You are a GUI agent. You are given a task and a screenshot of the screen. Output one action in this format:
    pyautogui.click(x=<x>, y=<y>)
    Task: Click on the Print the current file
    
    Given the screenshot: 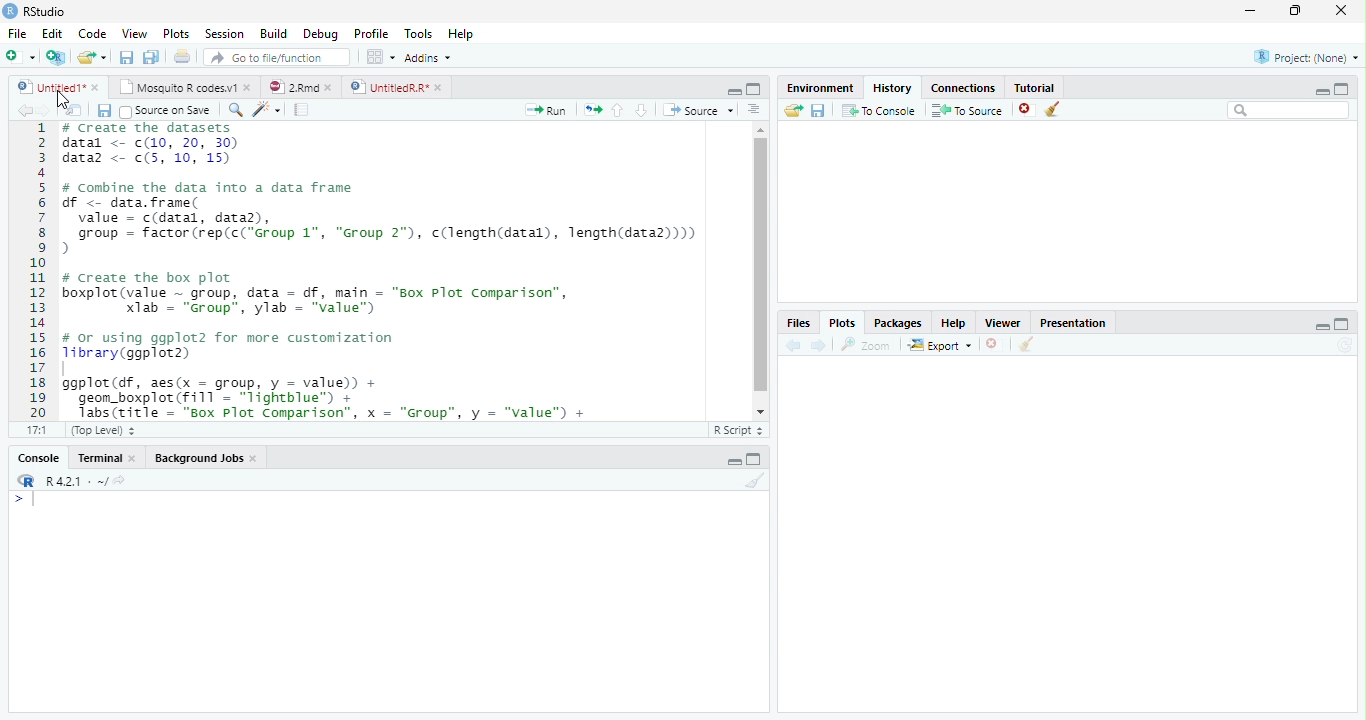 What is the action you would take?
    pyautogui.click(x=181, y=56)
    